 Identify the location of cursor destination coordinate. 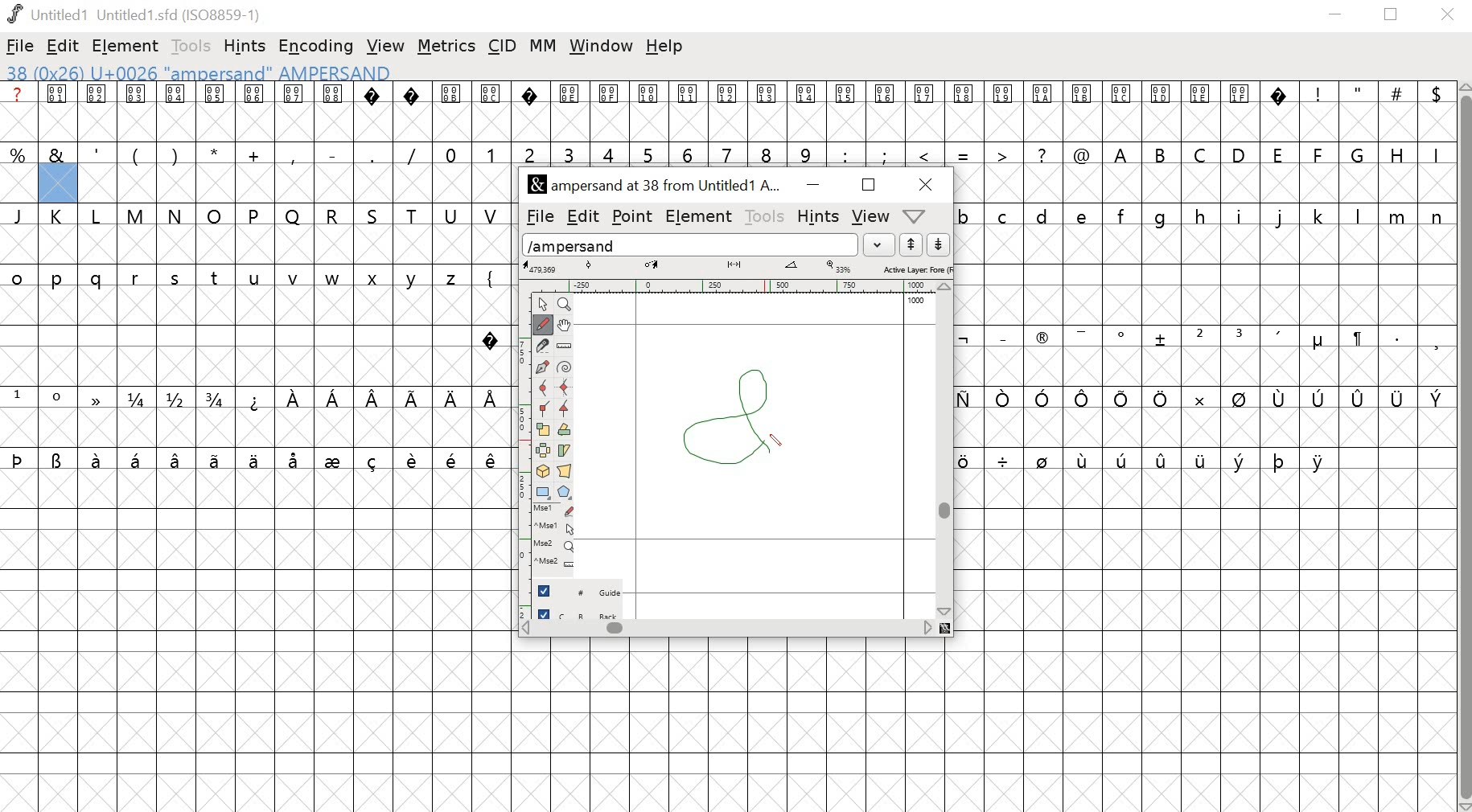
(654, 265).